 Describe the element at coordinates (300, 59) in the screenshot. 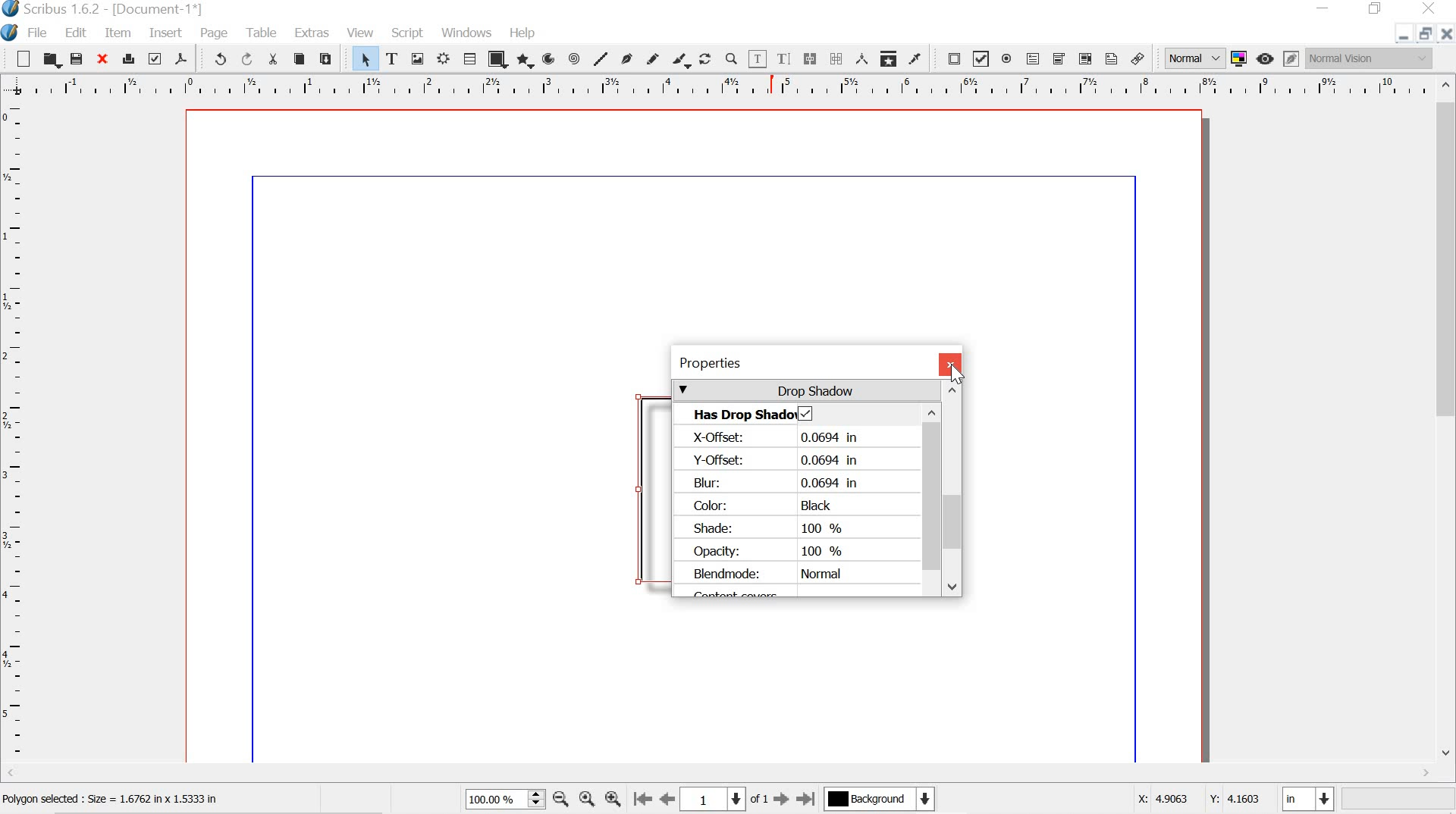

I see `copy` at that location.